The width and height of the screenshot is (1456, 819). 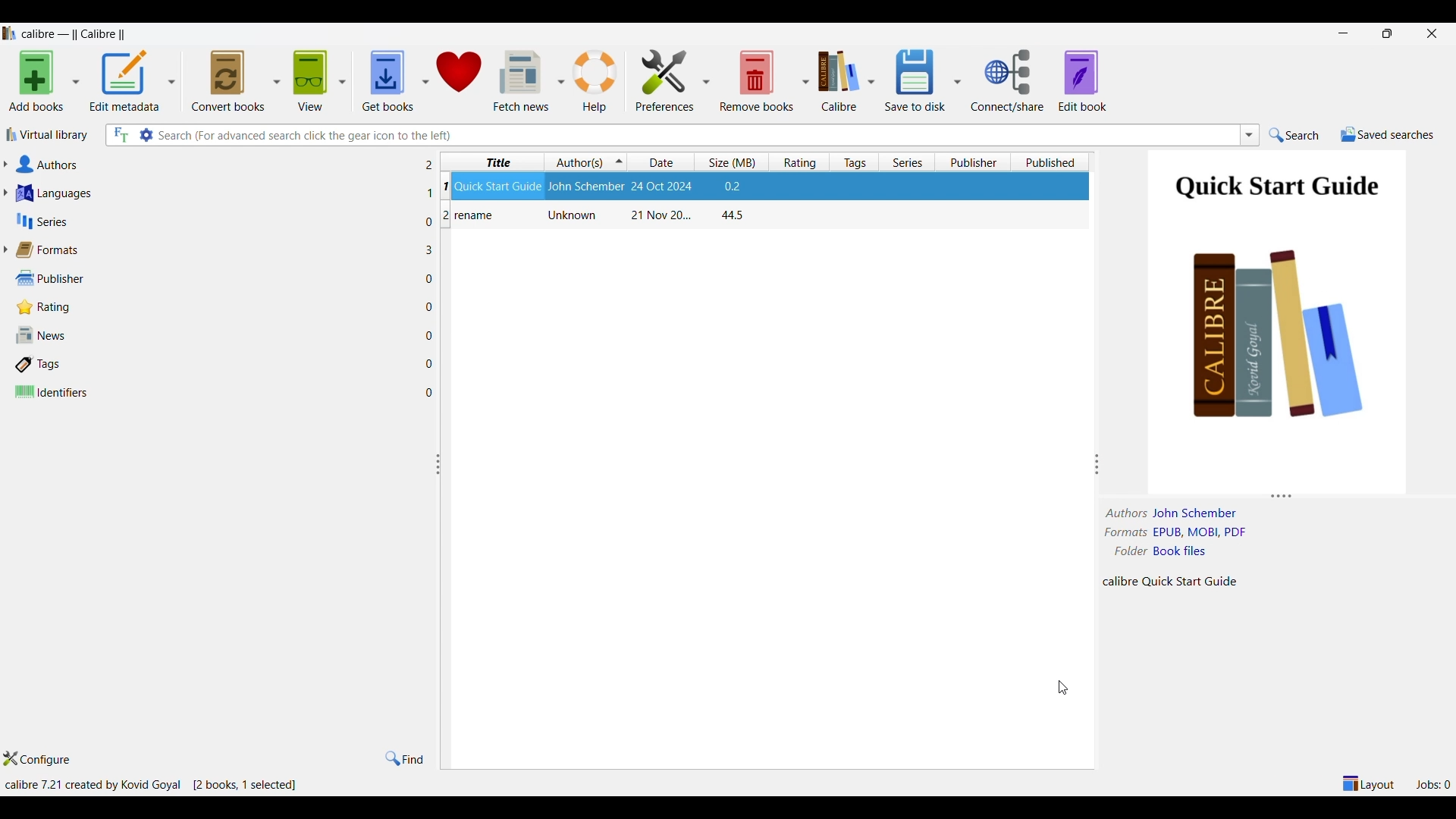 I want to click on Remove books, so click(x=756, y=80).